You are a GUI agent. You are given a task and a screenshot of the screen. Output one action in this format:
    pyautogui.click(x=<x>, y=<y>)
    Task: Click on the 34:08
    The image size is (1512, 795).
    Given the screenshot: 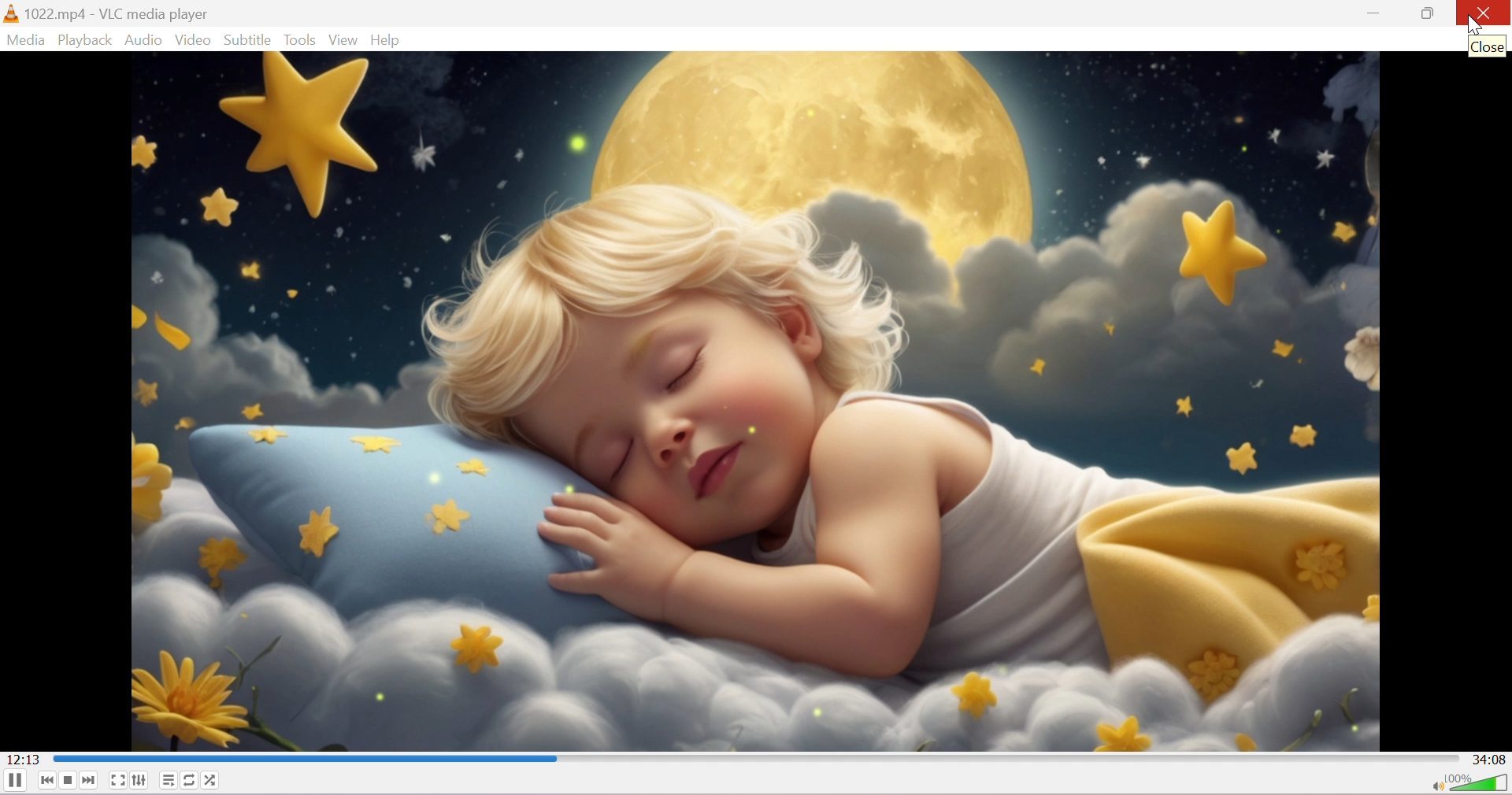 What is the action you would take?
    pyautogui.click(x=1489, y=760)
    